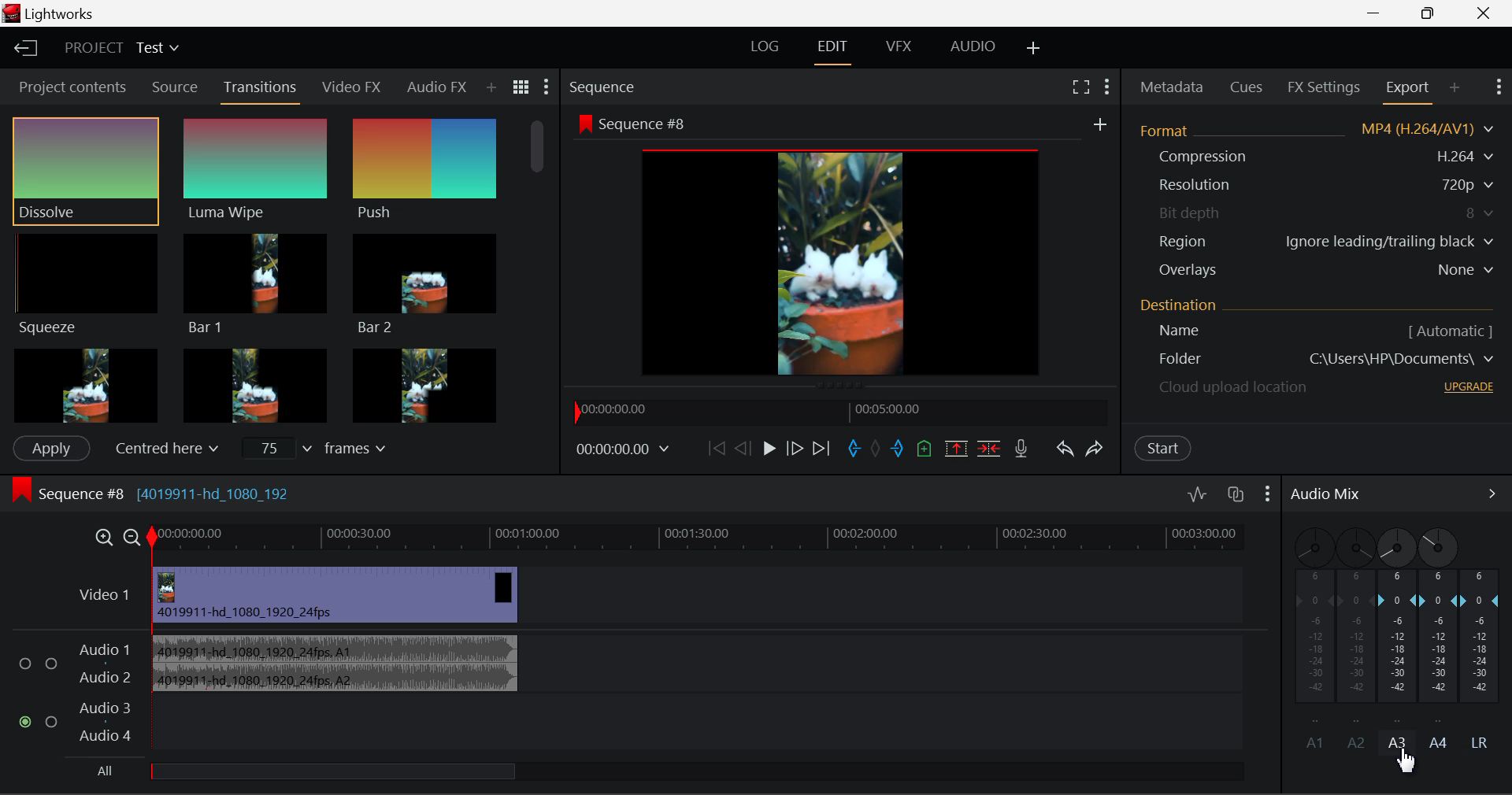 The width and height of the screenshot is (1512, 795). I want to click on Redo, so click(1095, 449).